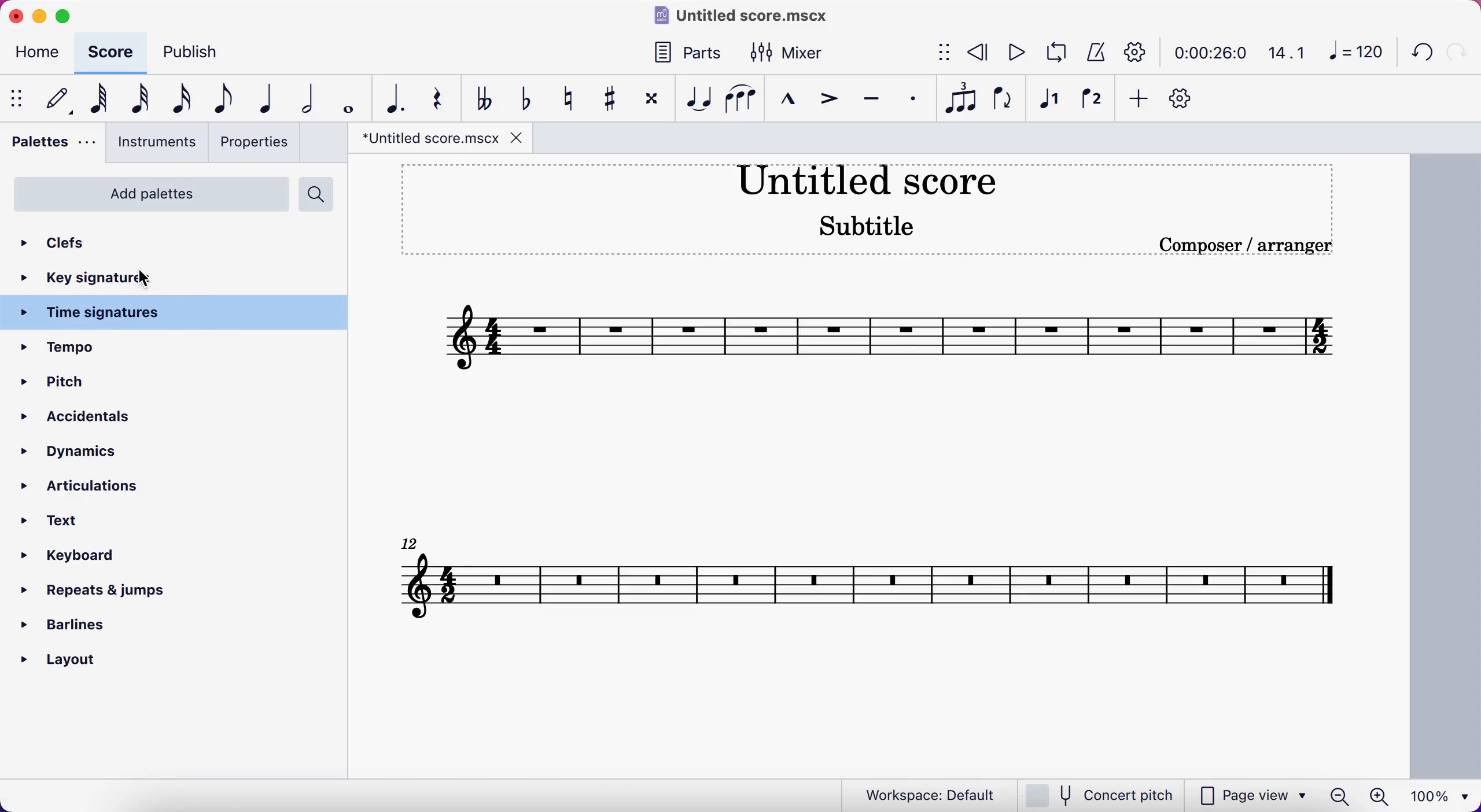 Image resolution: width=1481 pixels, height=812 pixels. What do you see at coordinates (1099, 794) in the screenshot?
I see `concert pitch` at bounding box center [1099, 794].